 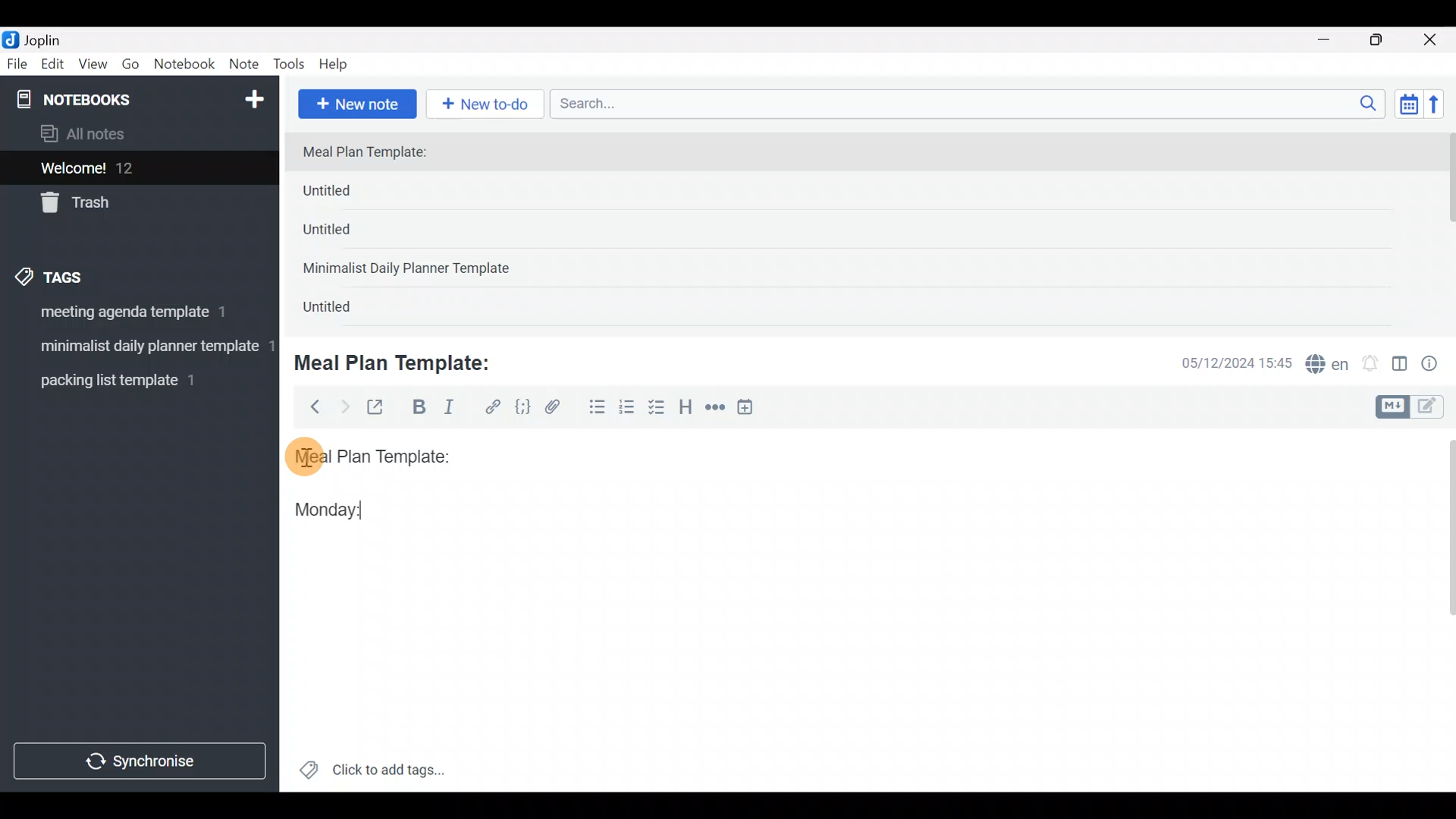 I want to click on Back, so click(x=309, y=406).